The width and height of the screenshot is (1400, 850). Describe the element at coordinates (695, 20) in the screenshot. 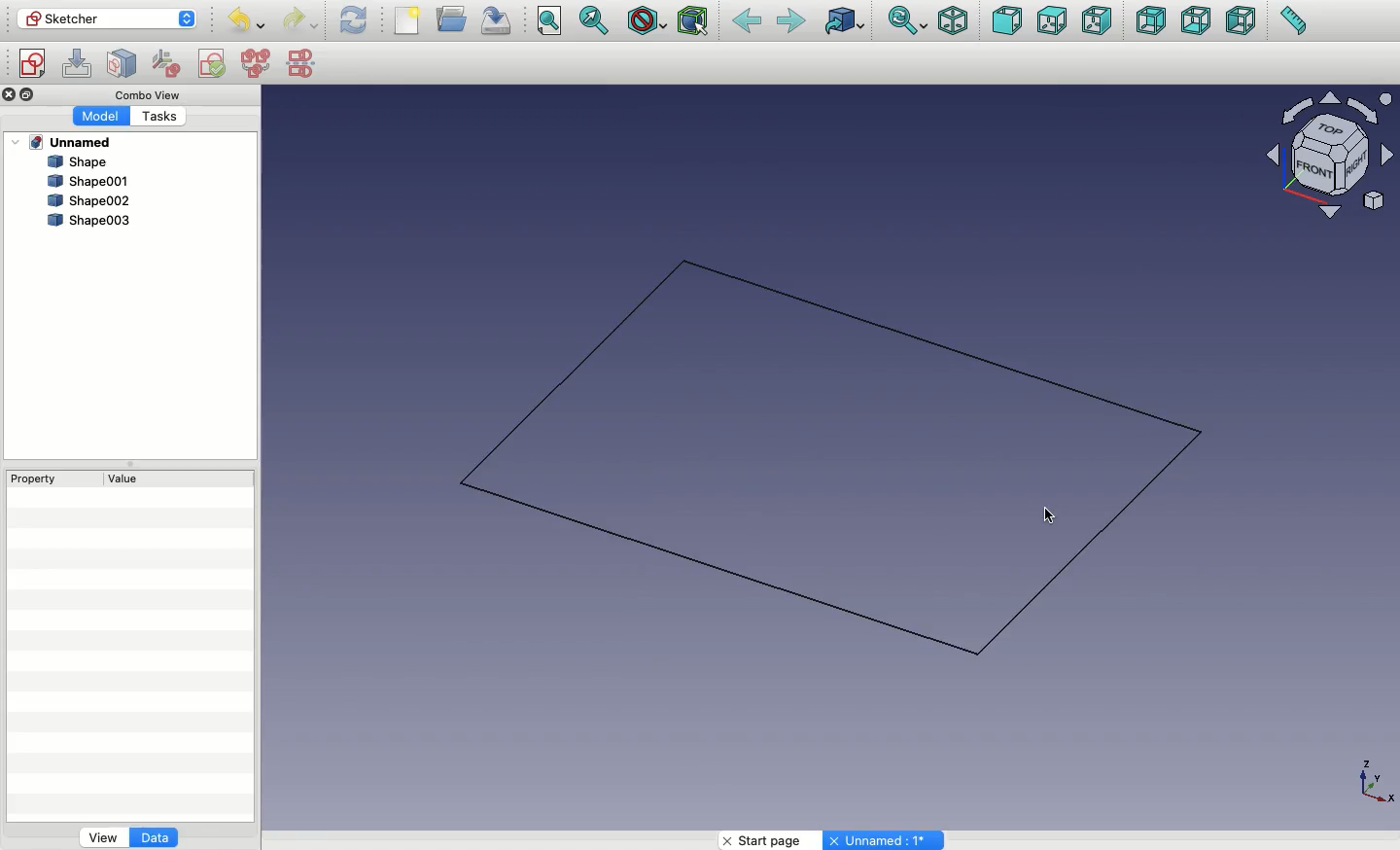

I see `Bounding box` at that location.